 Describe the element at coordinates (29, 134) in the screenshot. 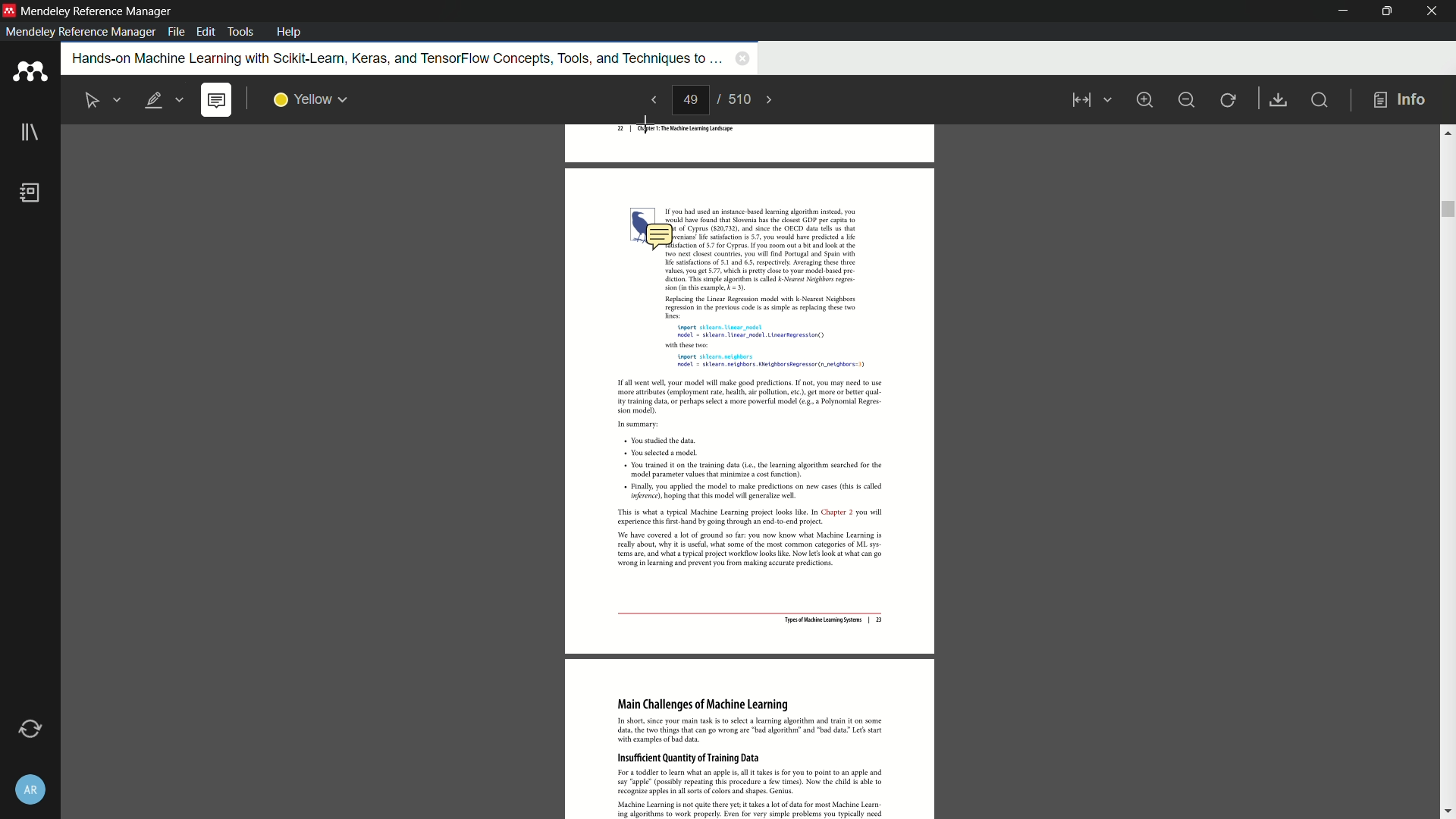

I see `library` at that location.